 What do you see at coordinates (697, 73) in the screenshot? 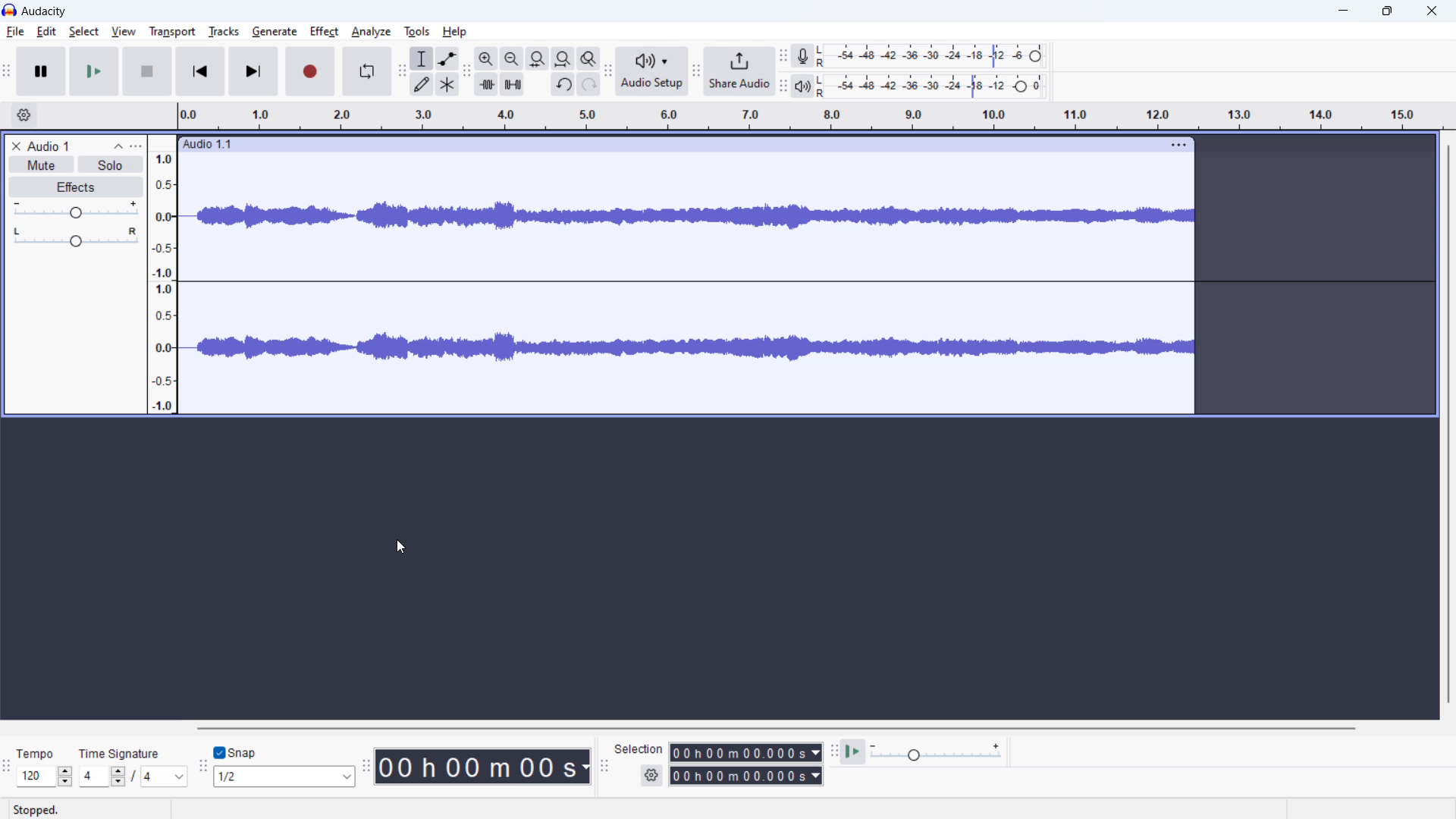
I see `share audio toolbar` at bounding box center [697, 73].